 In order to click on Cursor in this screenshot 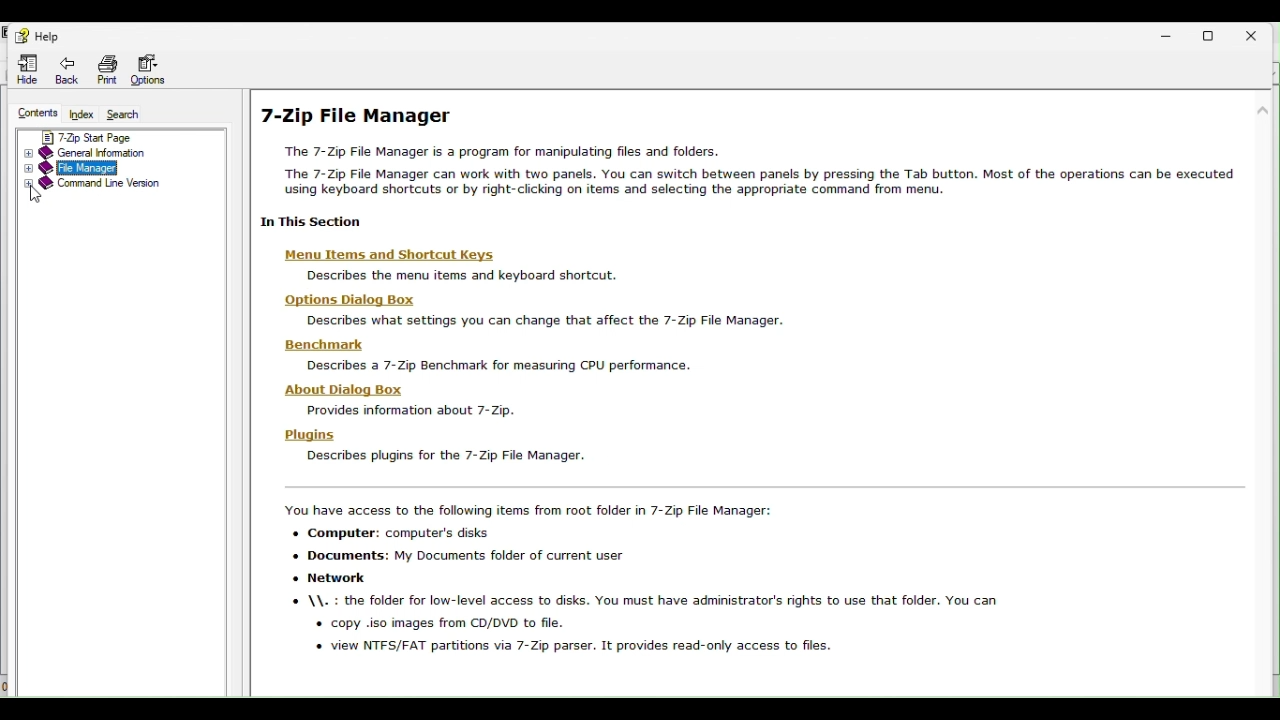, I will do `click(37, 196)`.